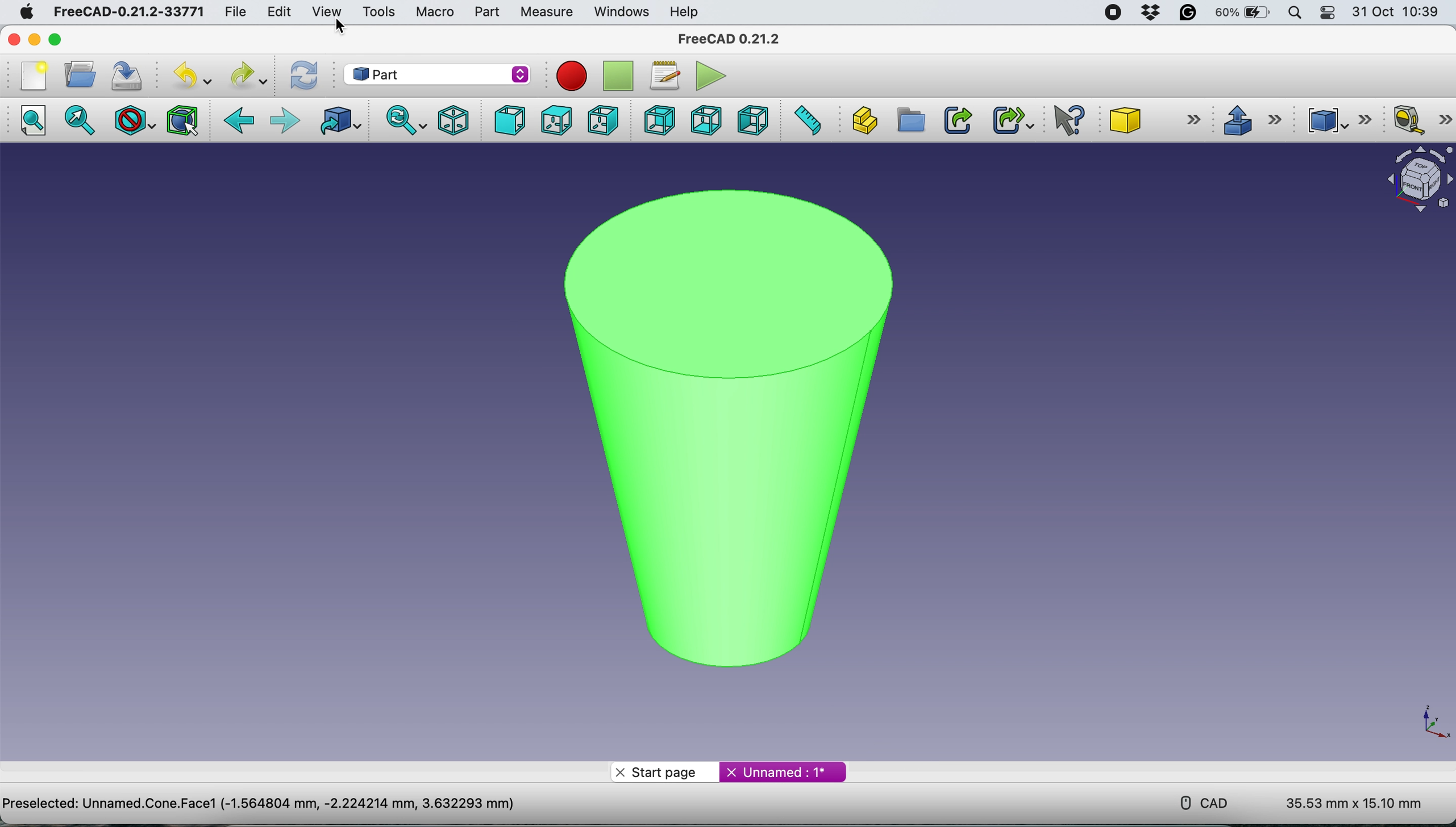 This screenshot has width=1456, height=827. I want to click on system logo, so click(19, 11).